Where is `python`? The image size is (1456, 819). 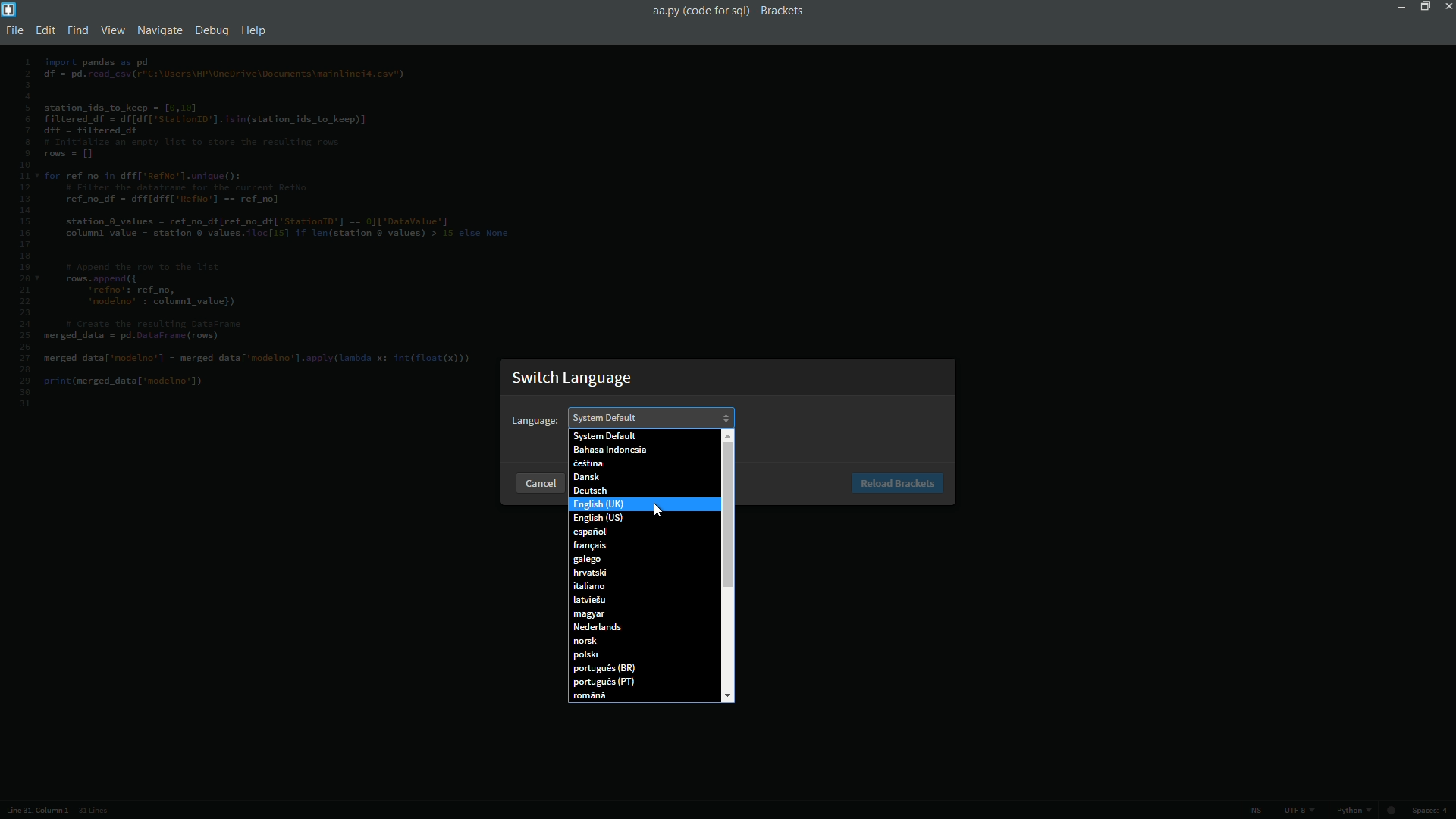
python is located at coordinates (1369, 812).